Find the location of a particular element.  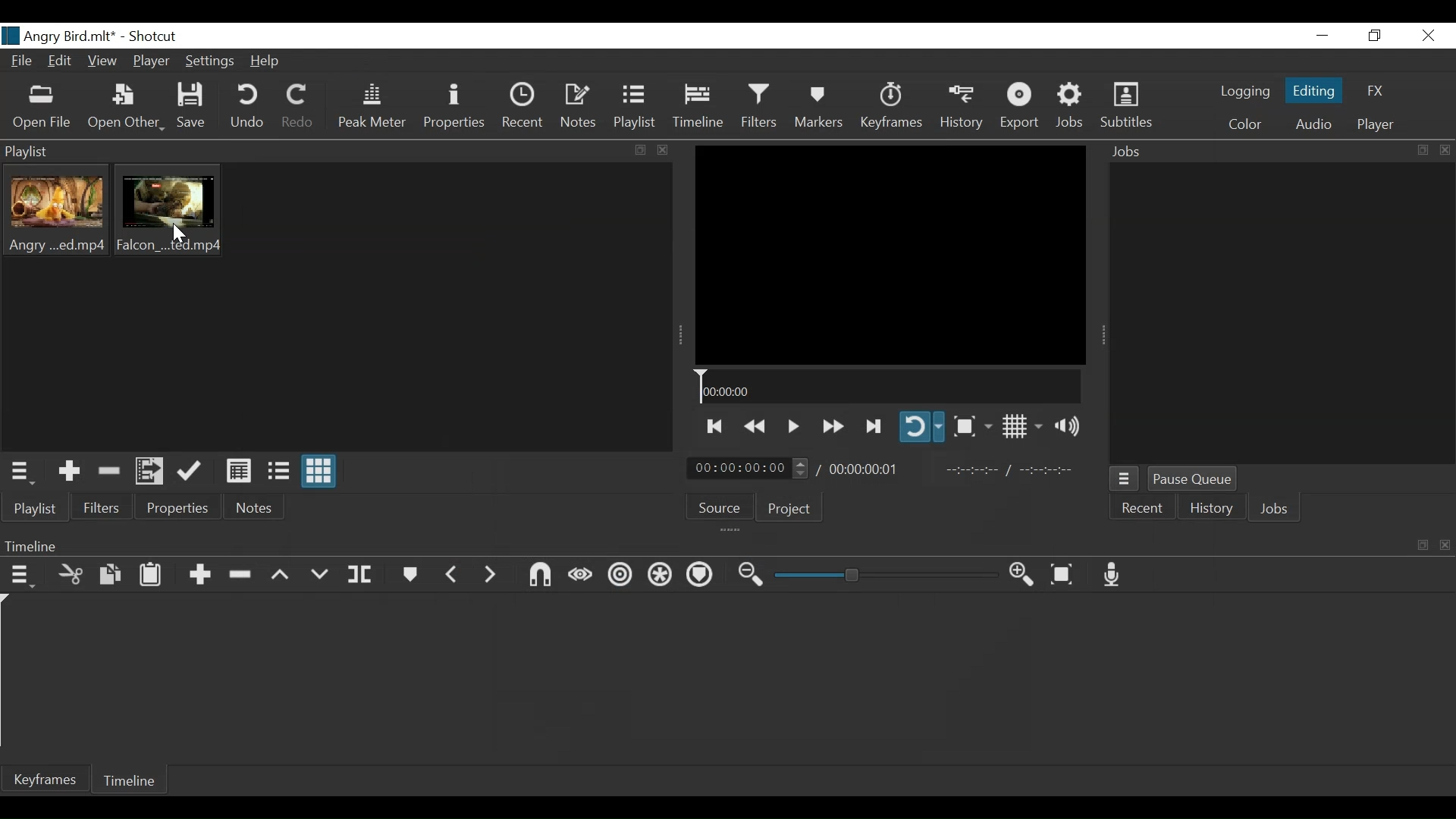

File Name is located at coordinates (24, 63).